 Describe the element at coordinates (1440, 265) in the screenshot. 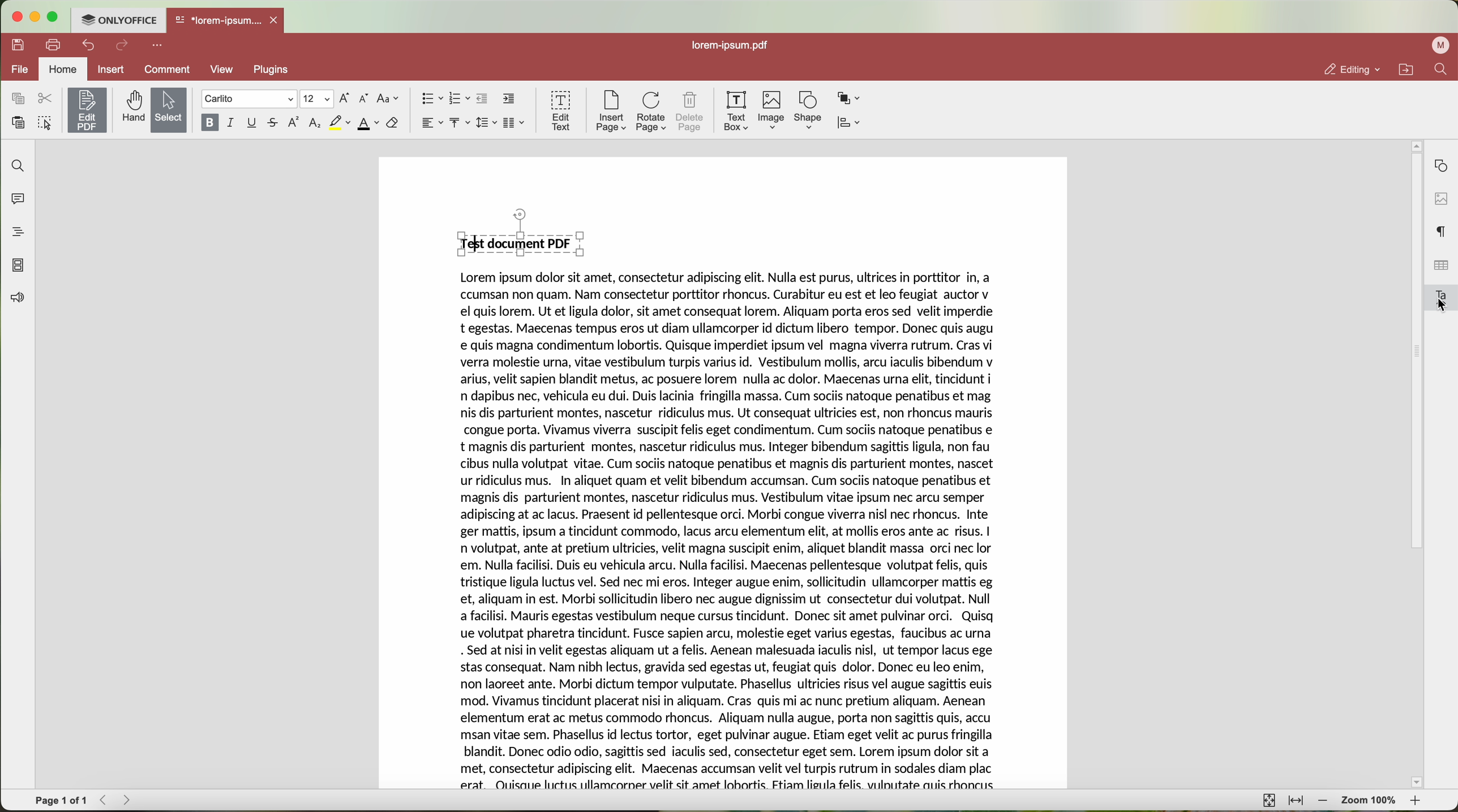

I see `table settings` at that location.